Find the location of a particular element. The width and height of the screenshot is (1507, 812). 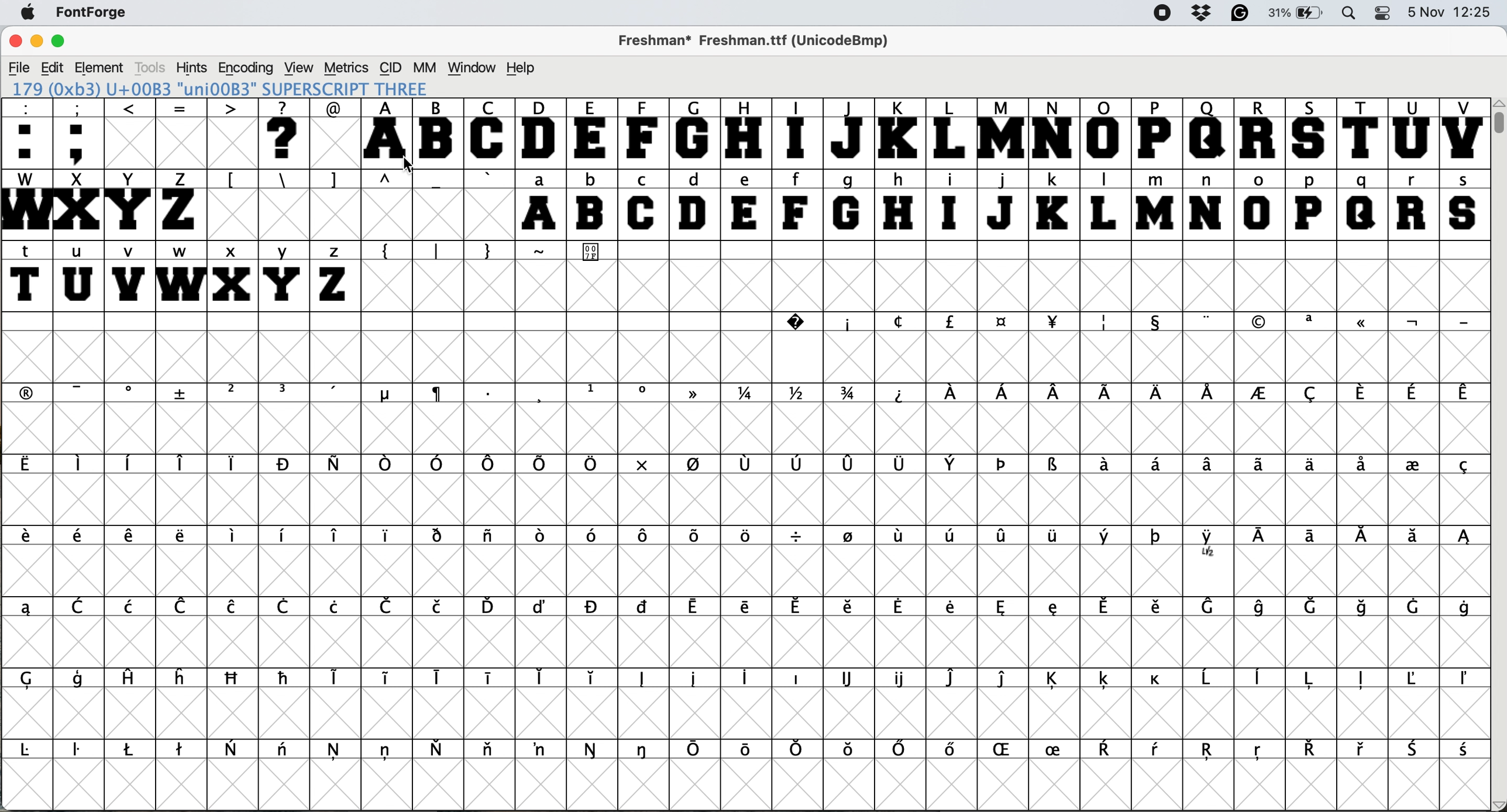

tools is located at coordinates (155, 66).